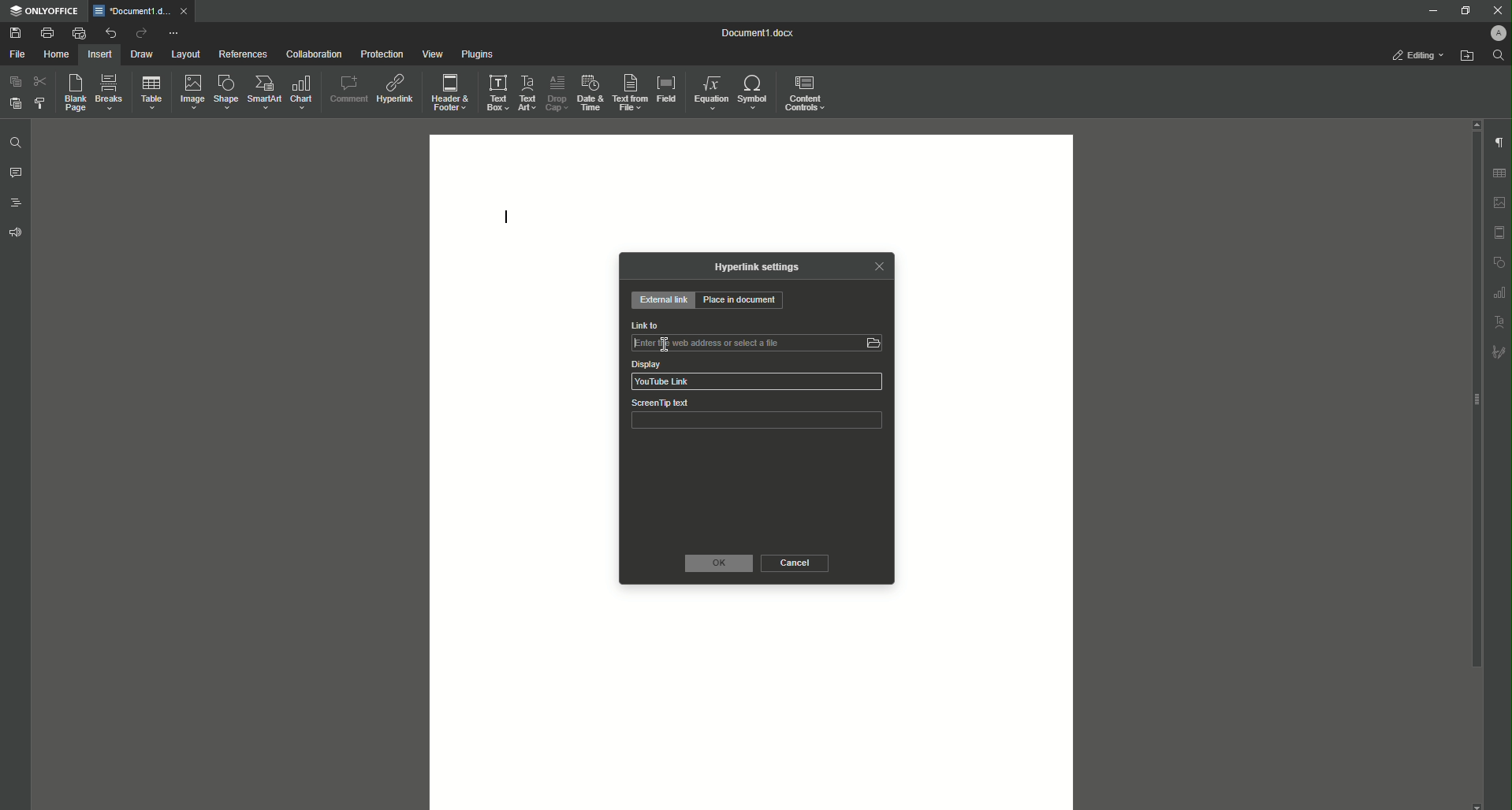 This screenshot has height=810, width=1512. What do you see at coordinates (761, 343) in the screenshot?
I see `Link to` at bounding box center [761, 343].